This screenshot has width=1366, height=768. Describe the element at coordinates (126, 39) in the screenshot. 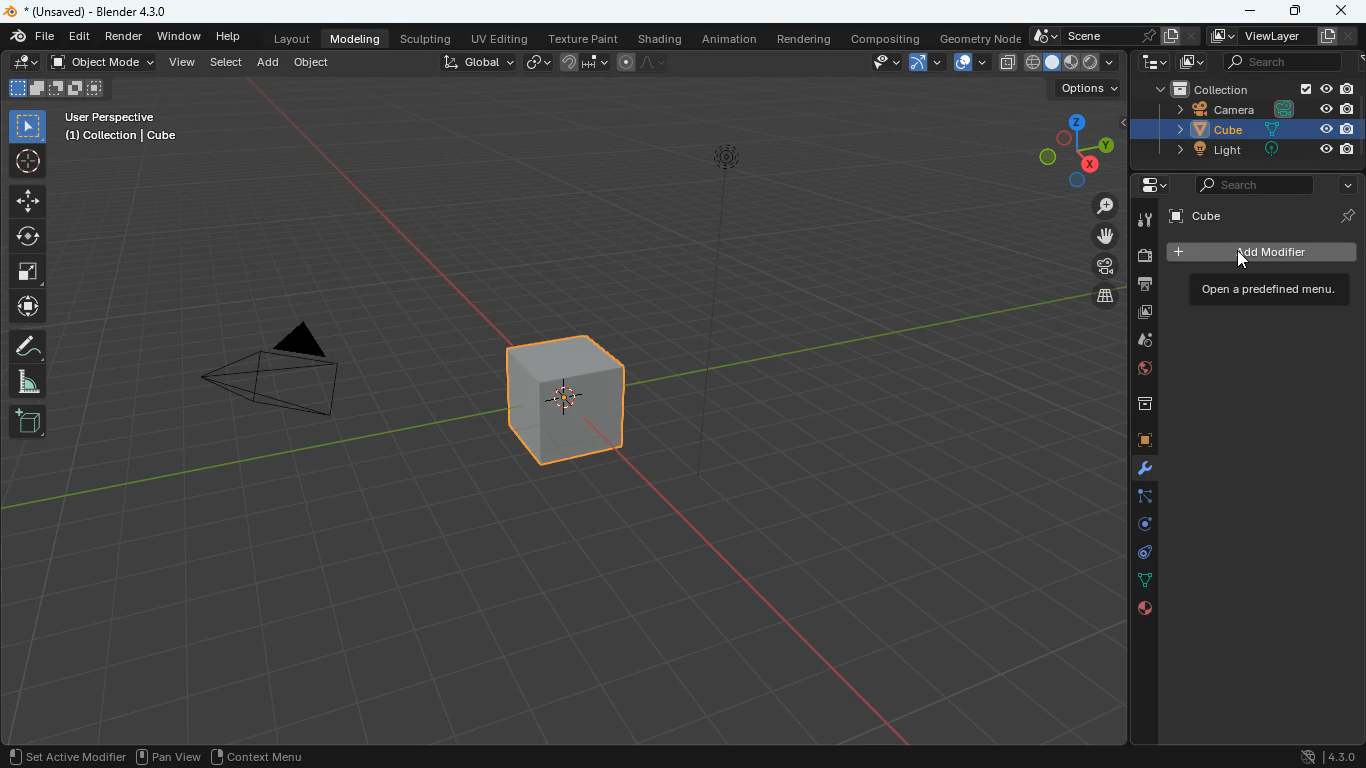

I see `render` at that location.